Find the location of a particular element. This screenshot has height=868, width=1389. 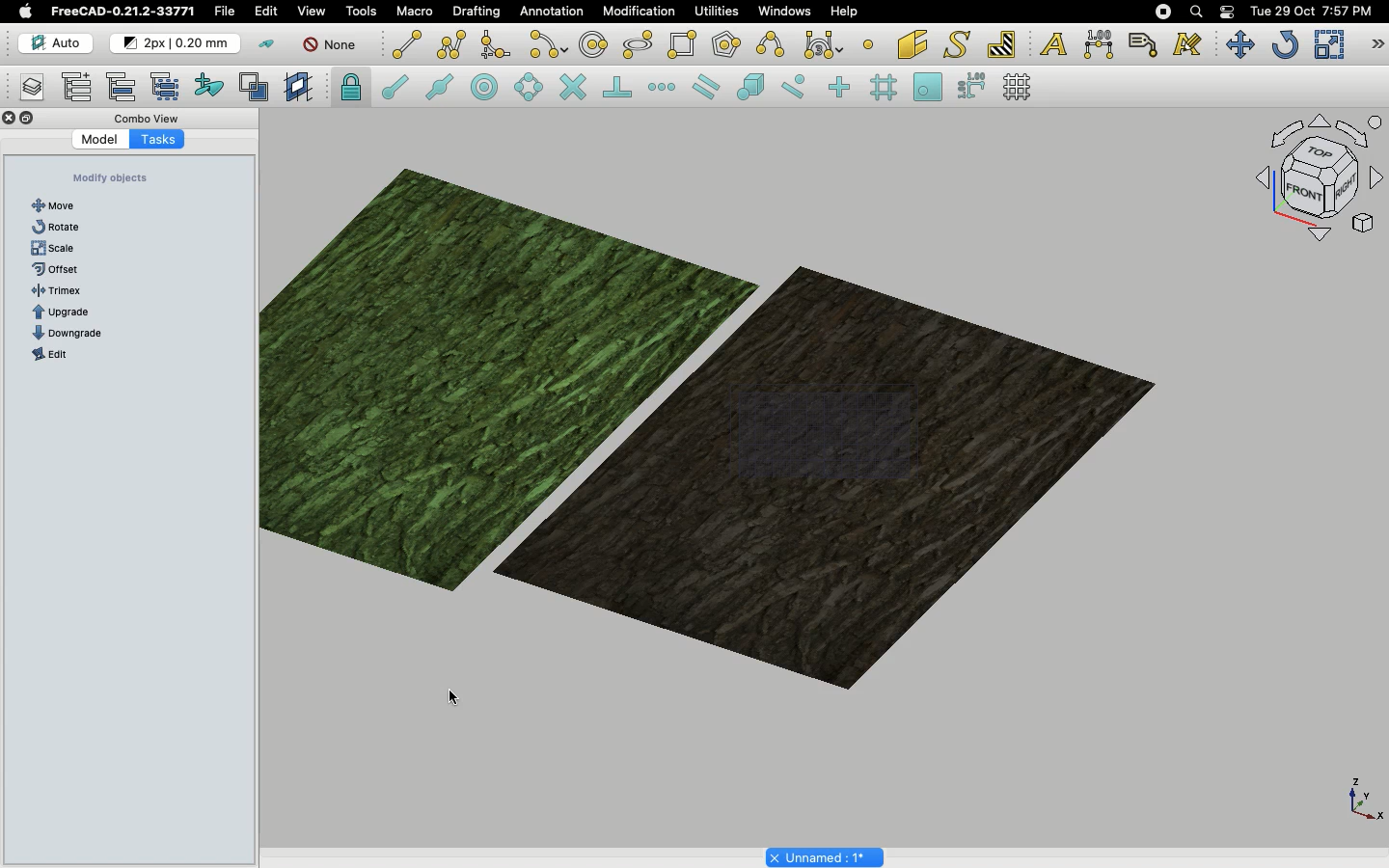

Text is located at coordinates (1053, 45).